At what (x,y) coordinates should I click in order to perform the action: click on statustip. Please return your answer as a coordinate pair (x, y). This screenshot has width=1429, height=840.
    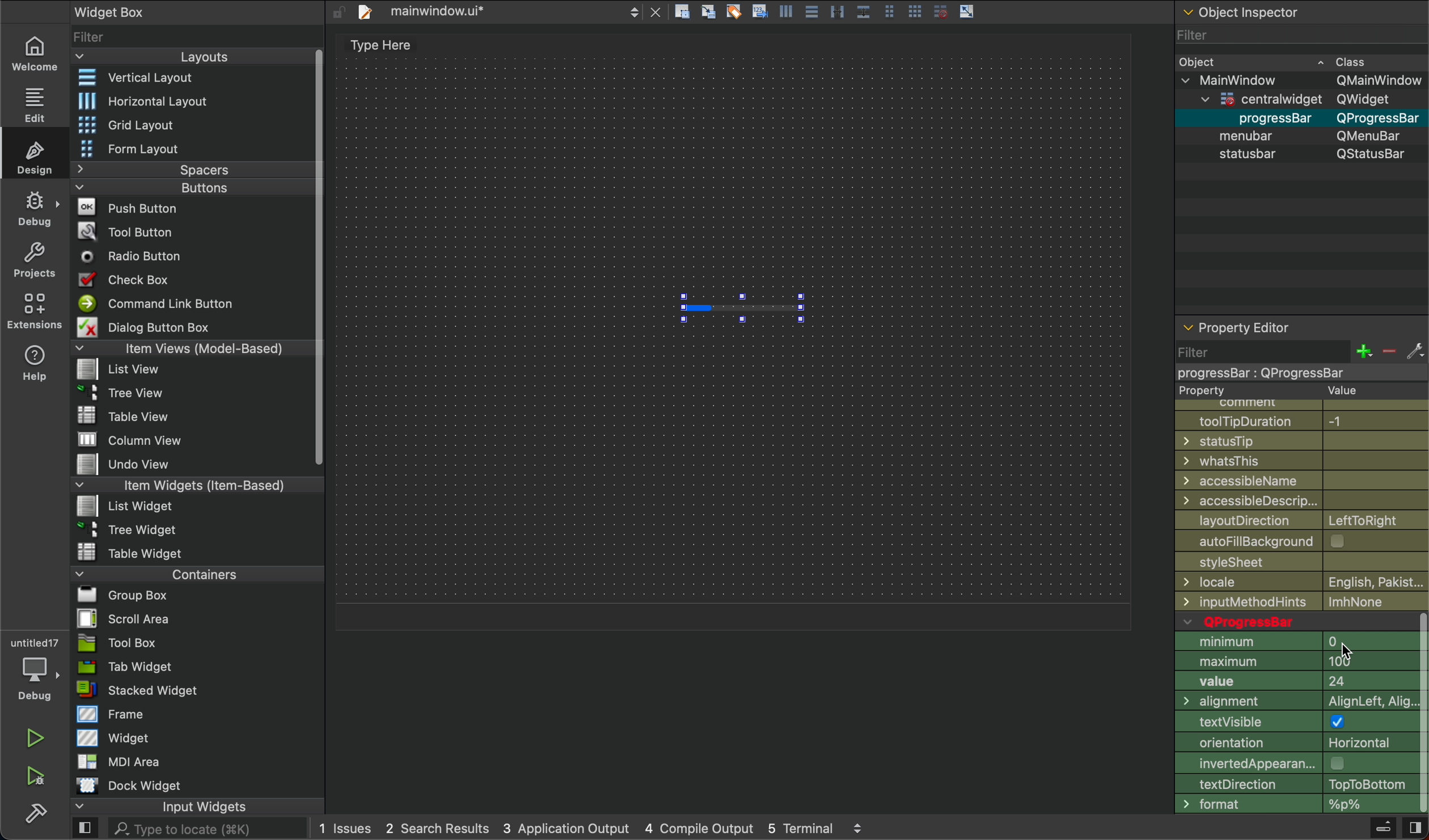
    Looking at the image, I should click on (1303, 441).